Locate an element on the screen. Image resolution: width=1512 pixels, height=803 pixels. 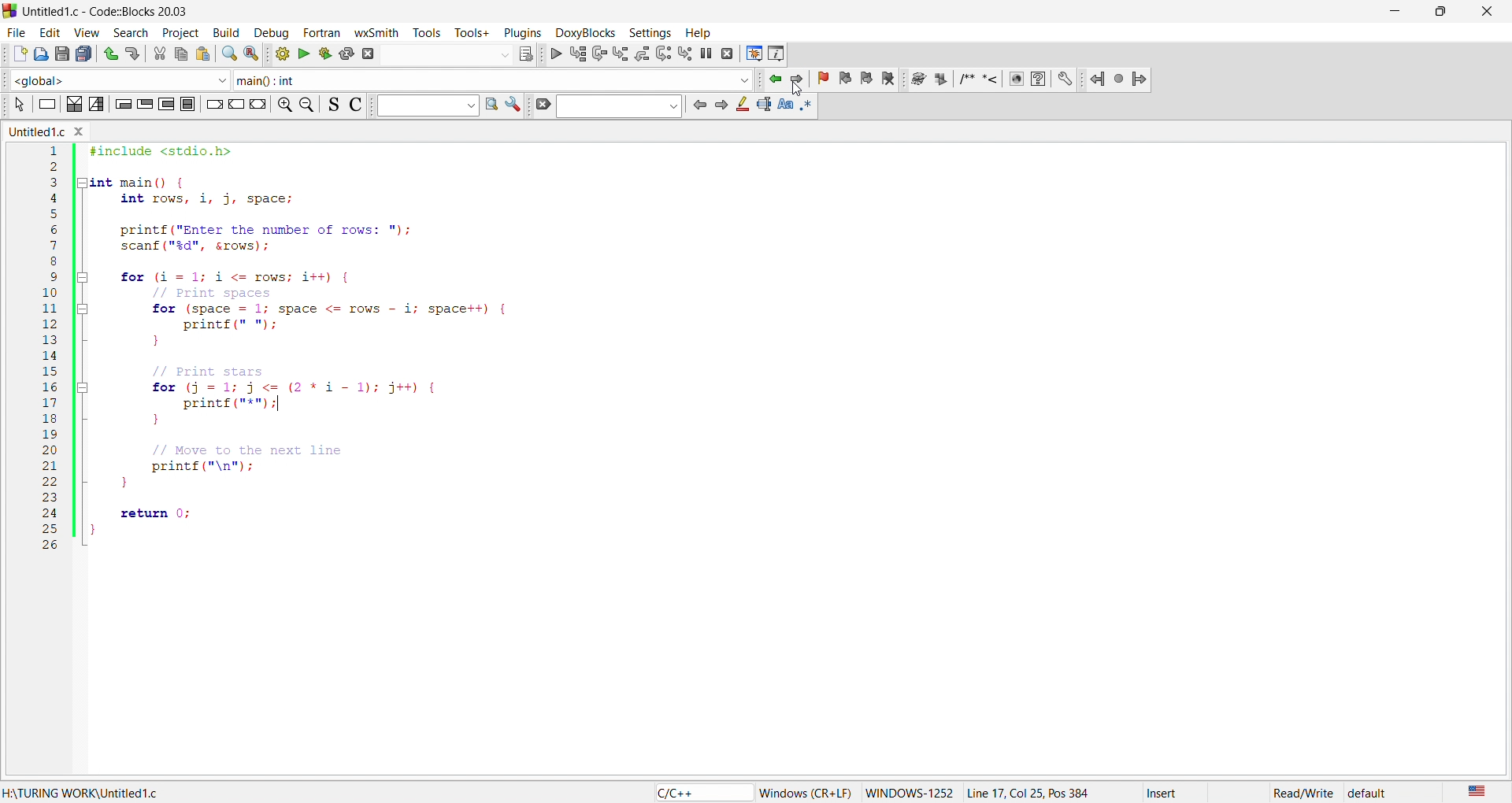
redo is located at coordinates (132, 54).